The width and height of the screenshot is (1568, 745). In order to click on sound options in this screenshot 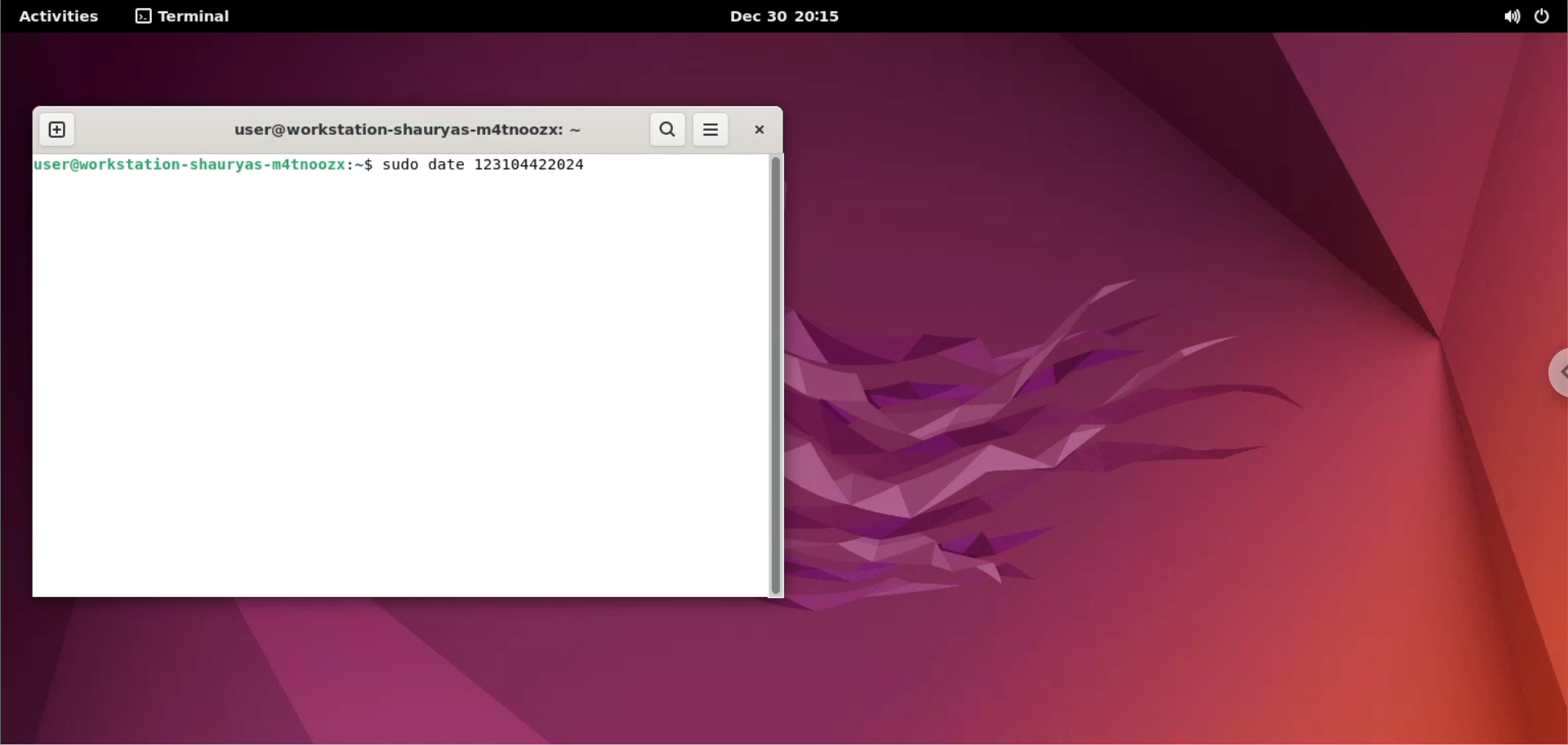, I will do `click(1511, 16)`.